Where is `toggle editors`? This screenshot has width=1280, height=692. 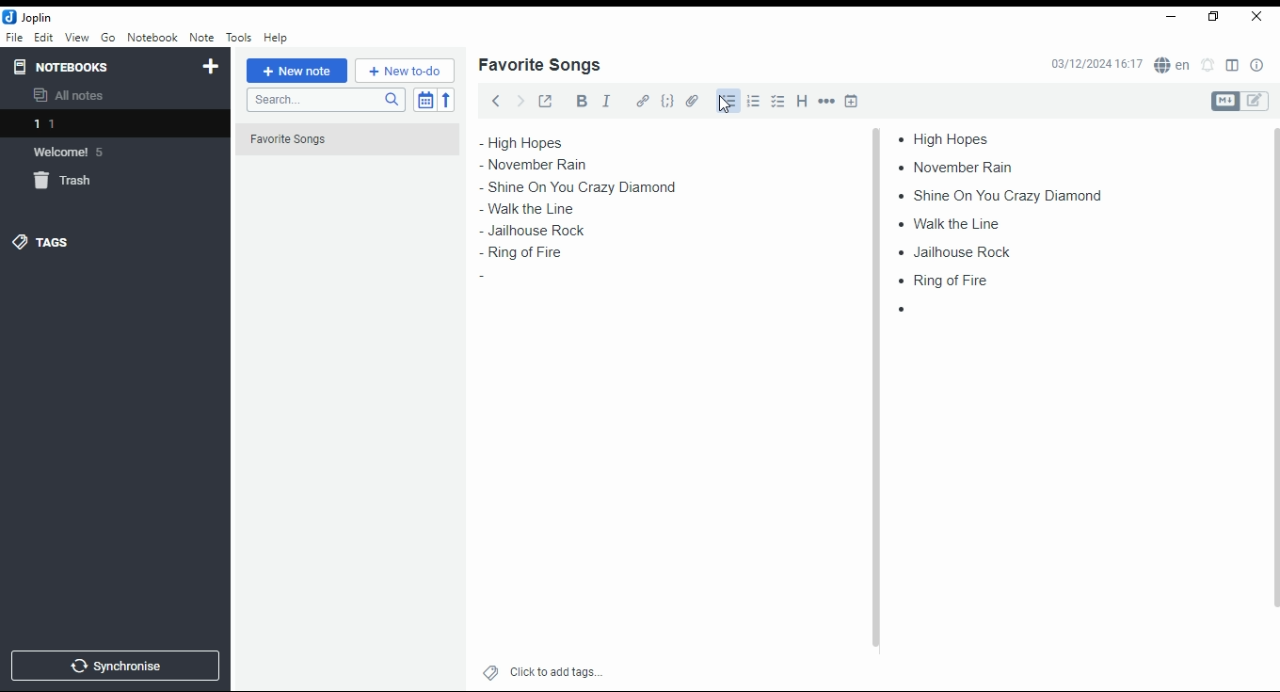 toggle editors is located at coordinates (1240, 101).